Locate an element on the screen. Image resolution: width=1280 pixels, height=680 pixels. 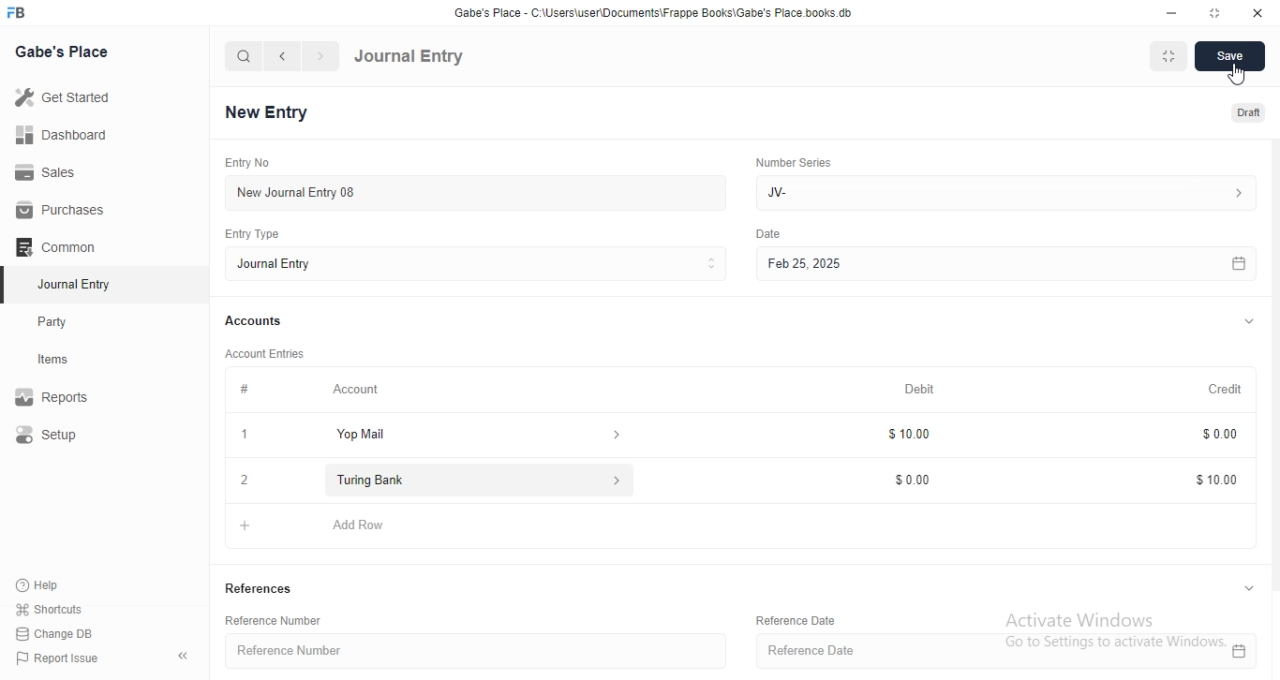
Yop Mail is located at coordinates (473, 435).